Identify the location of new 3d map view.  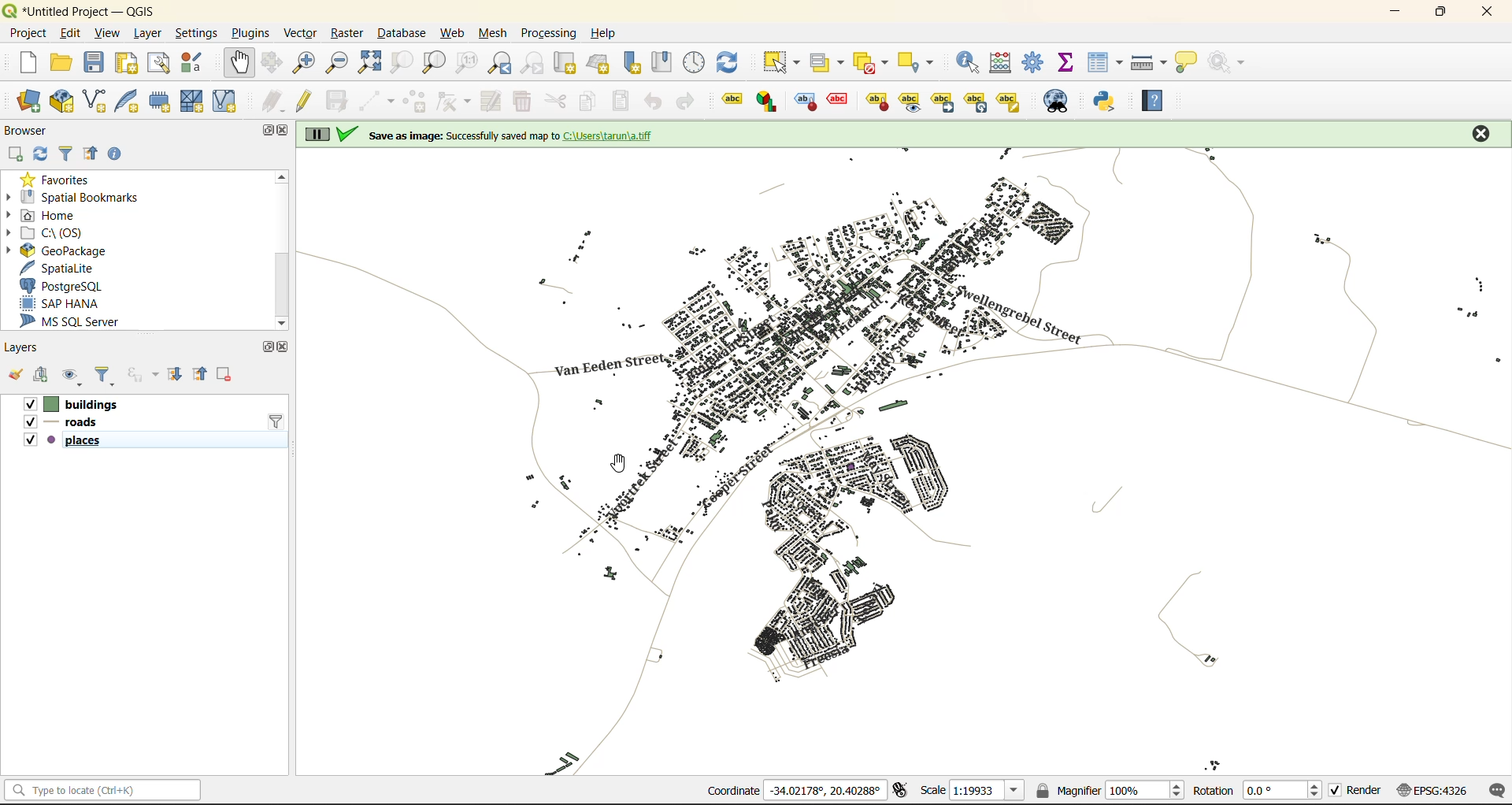
(598, 61).